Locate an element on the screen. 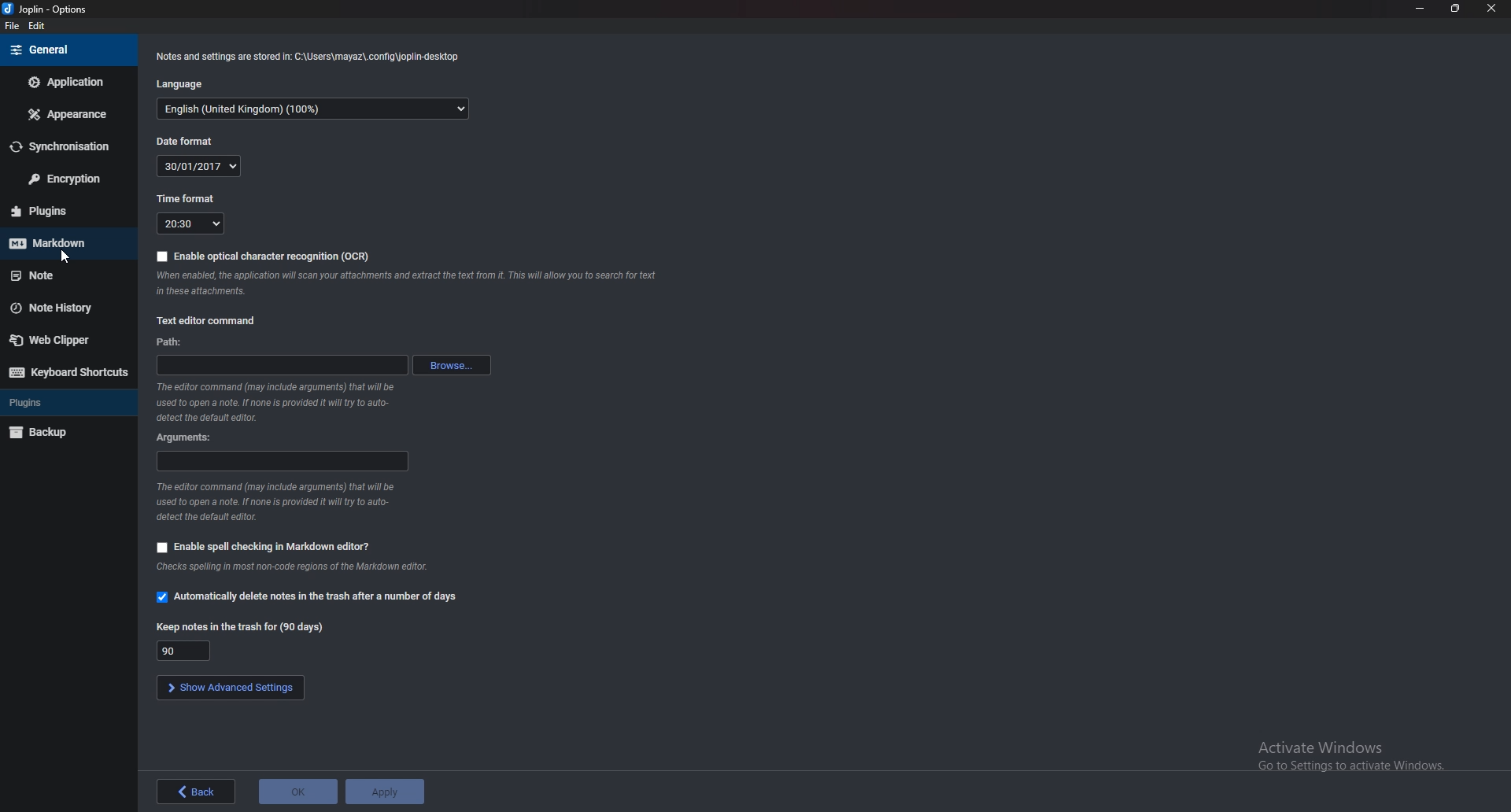 This screenshot has height=812, width=1511. Date format is located at coordinates (196, 167).